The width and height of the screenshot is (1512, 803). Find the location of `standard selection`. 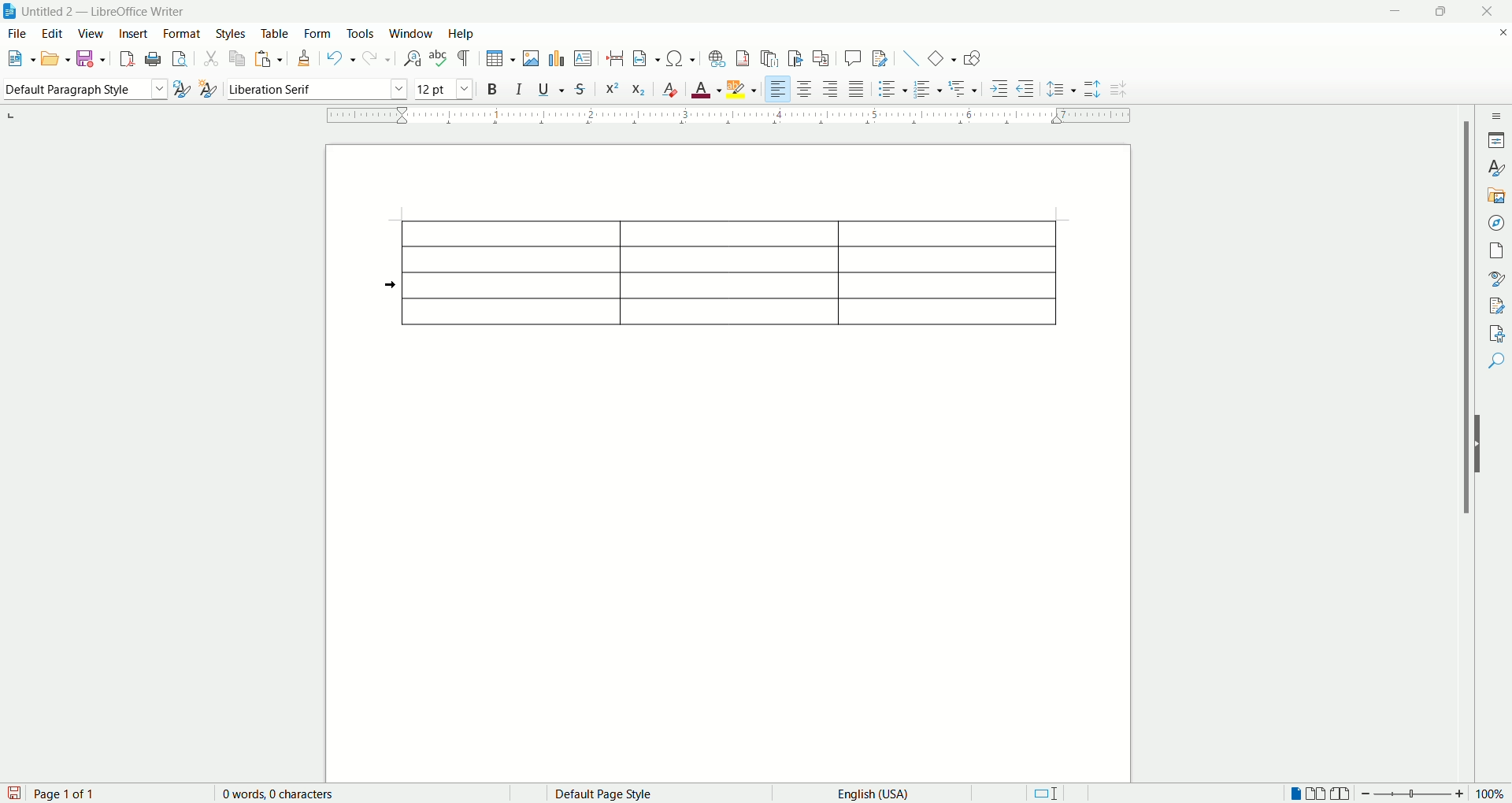

standard selection is located at coordinates (1051, 794).